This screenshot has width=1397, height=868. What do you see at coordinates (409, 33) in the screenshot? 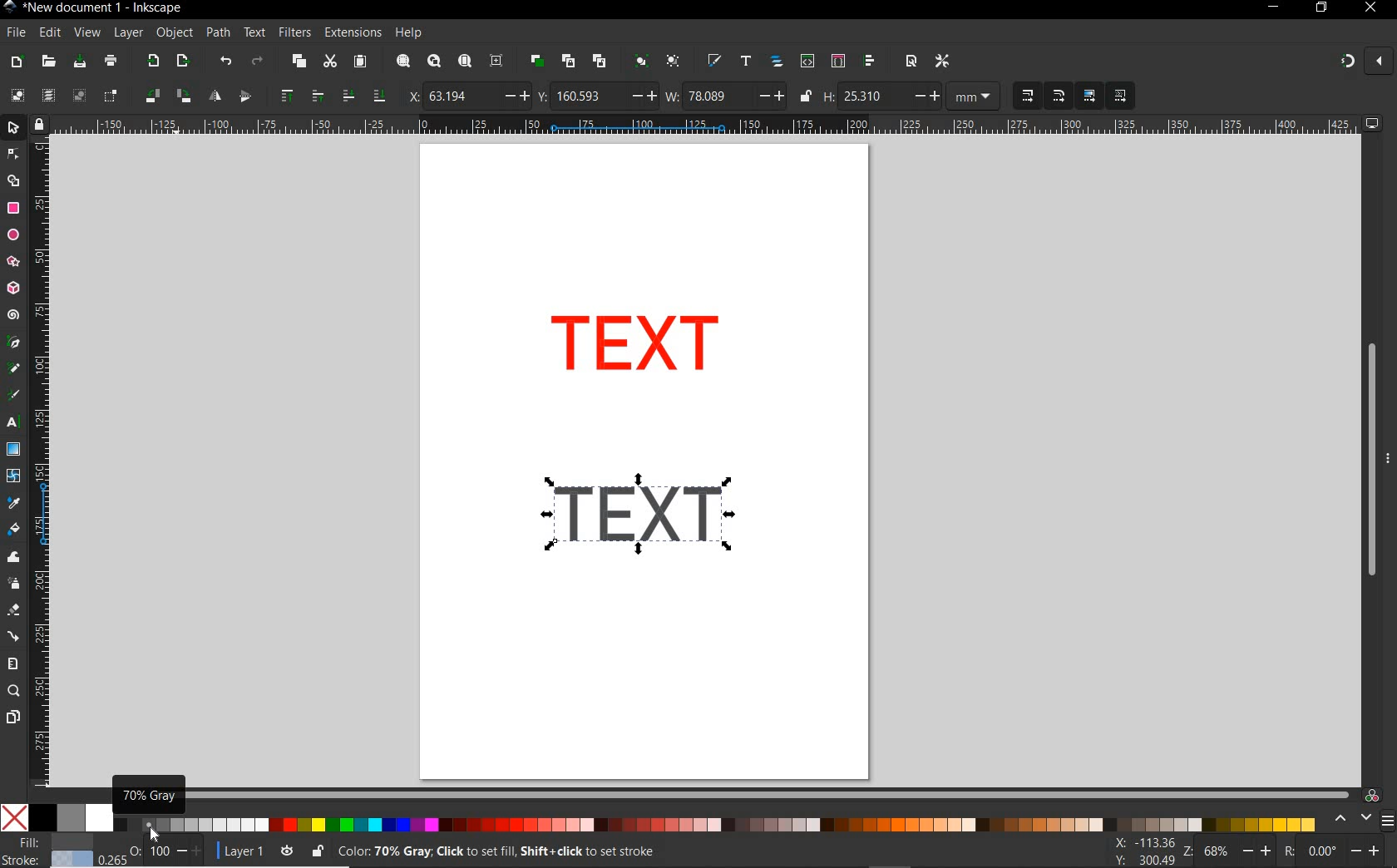
I see `help` at bounding box center [409, 33].